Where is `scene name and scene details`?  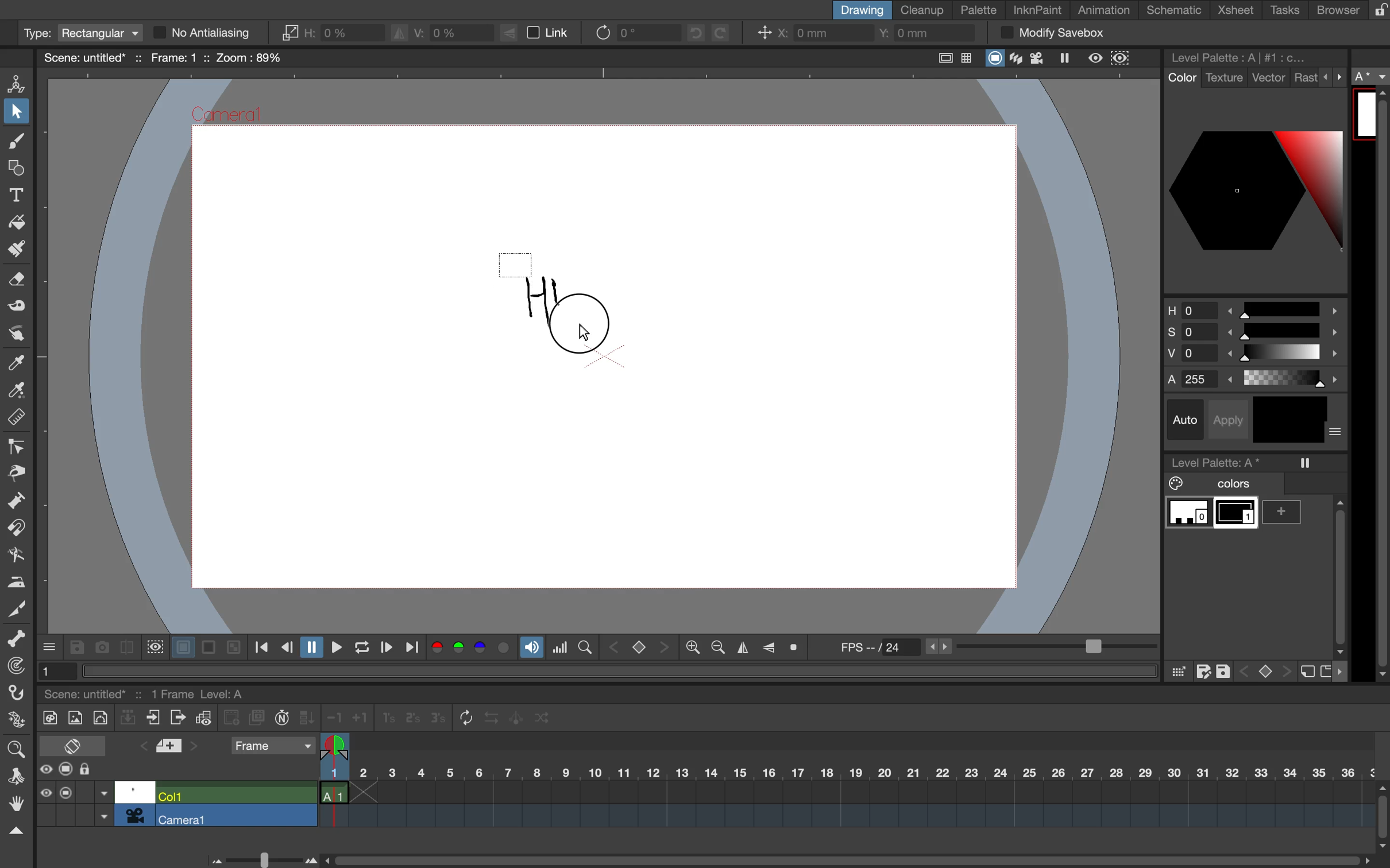
scene name and scene details is located at coordinates (163, 57).